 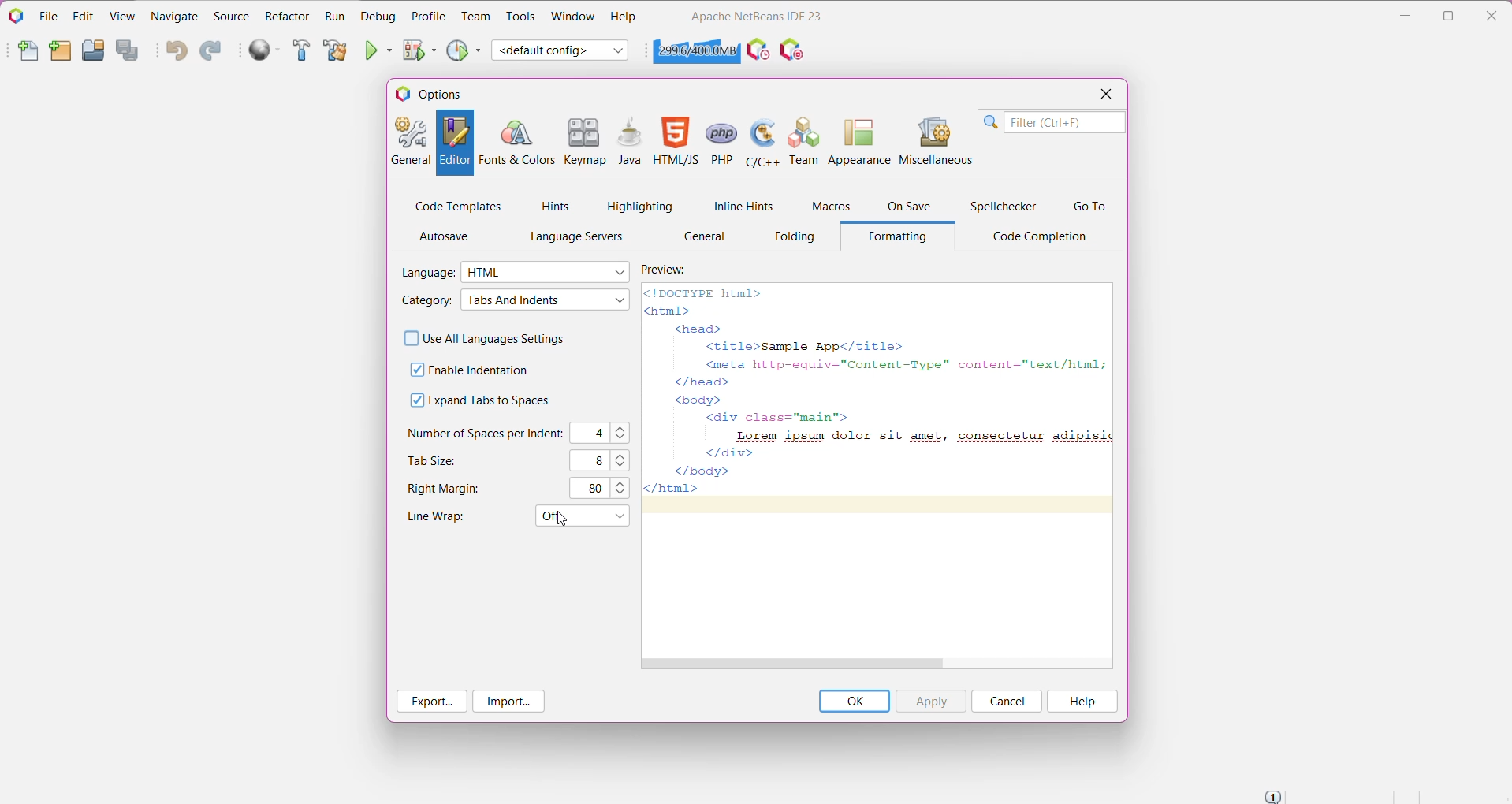 I want to click on Select the required language, so click(x=547, y=272).